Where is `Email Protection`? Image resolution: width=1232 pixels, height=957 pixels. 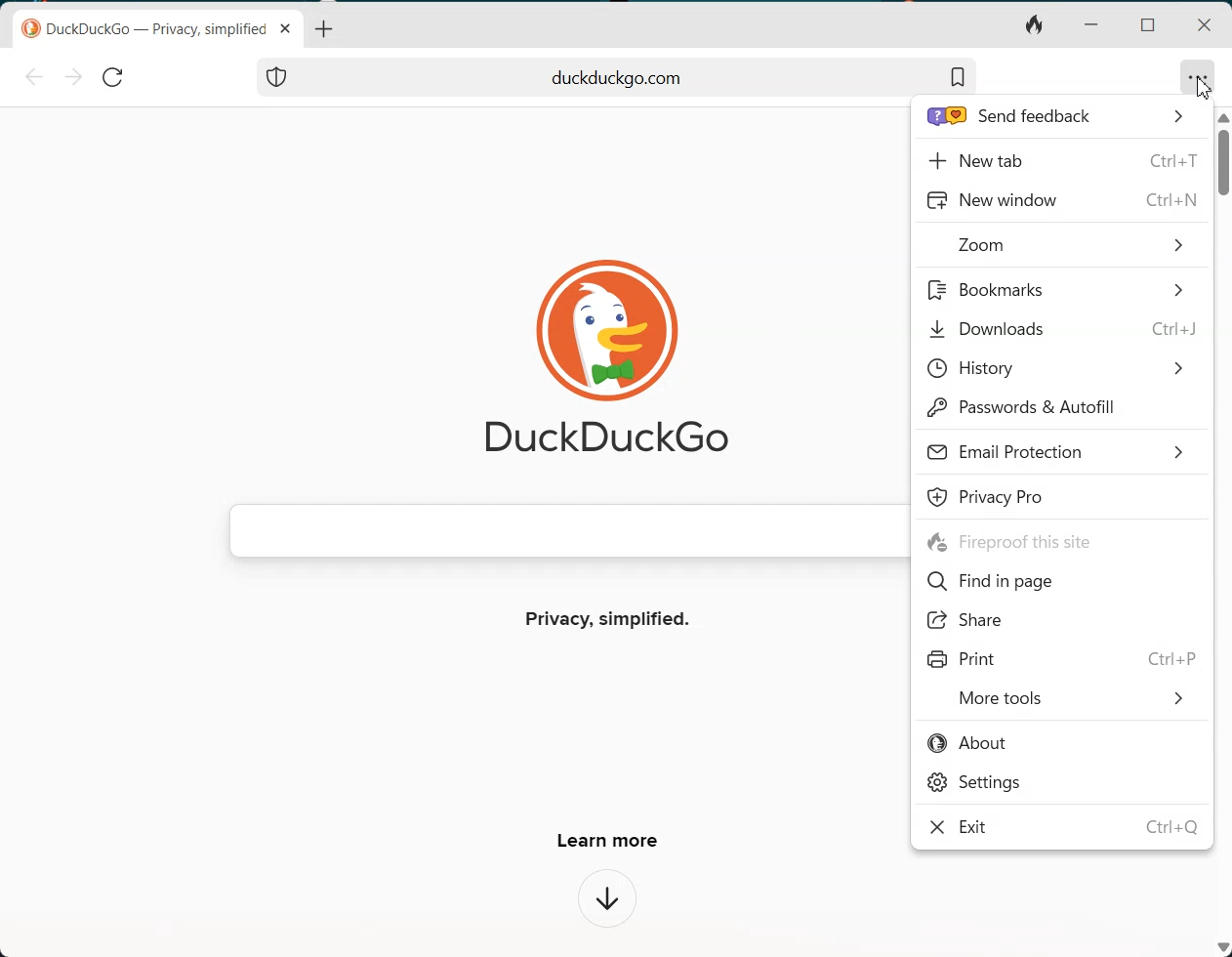
Email Protection is located at coordinates (1063, 452).